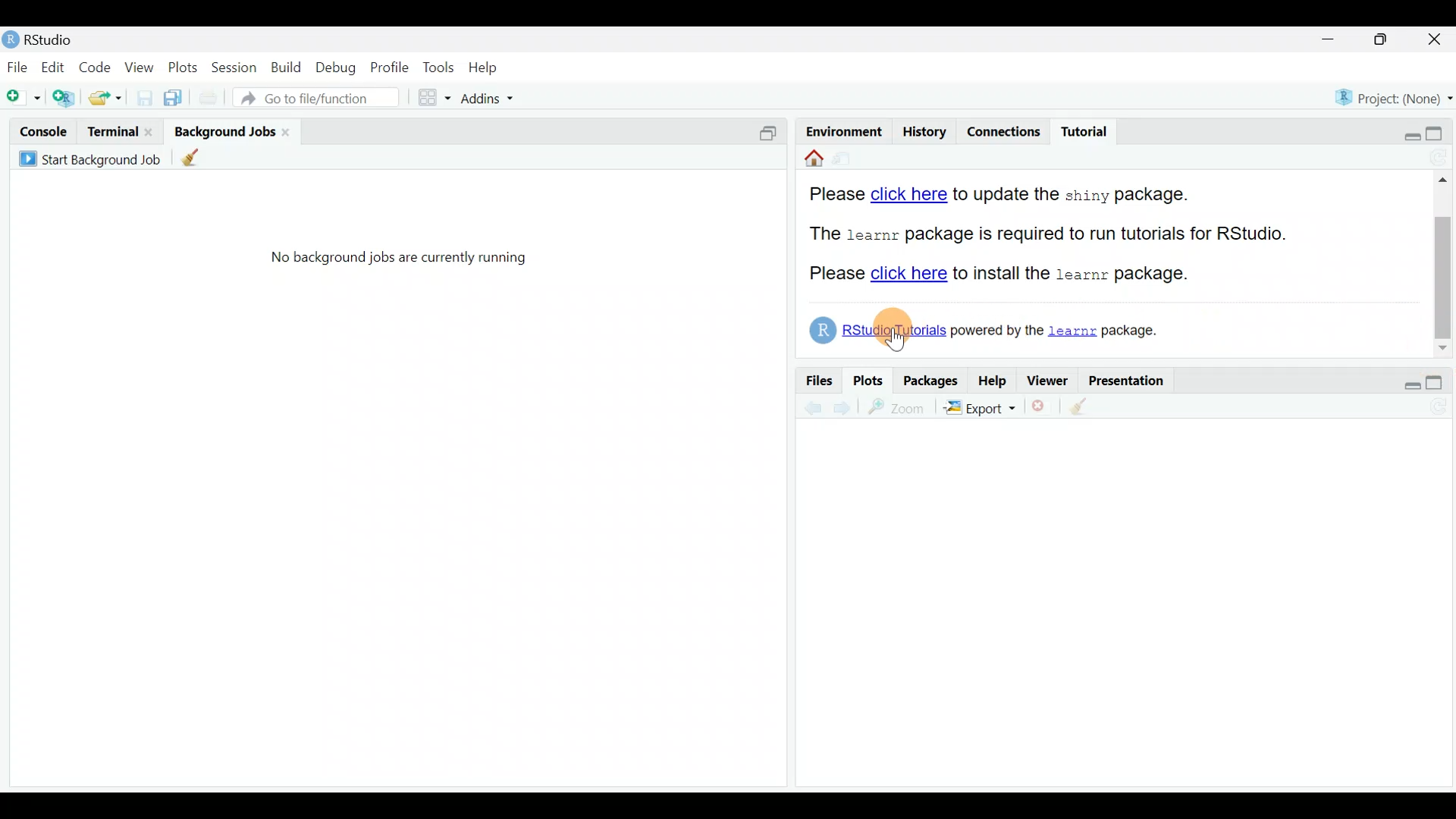 The width and height of the screenshot is (1456, 819). Describe the element at coordinates (45, 131) in the screenshot. I see `Console` at that location.